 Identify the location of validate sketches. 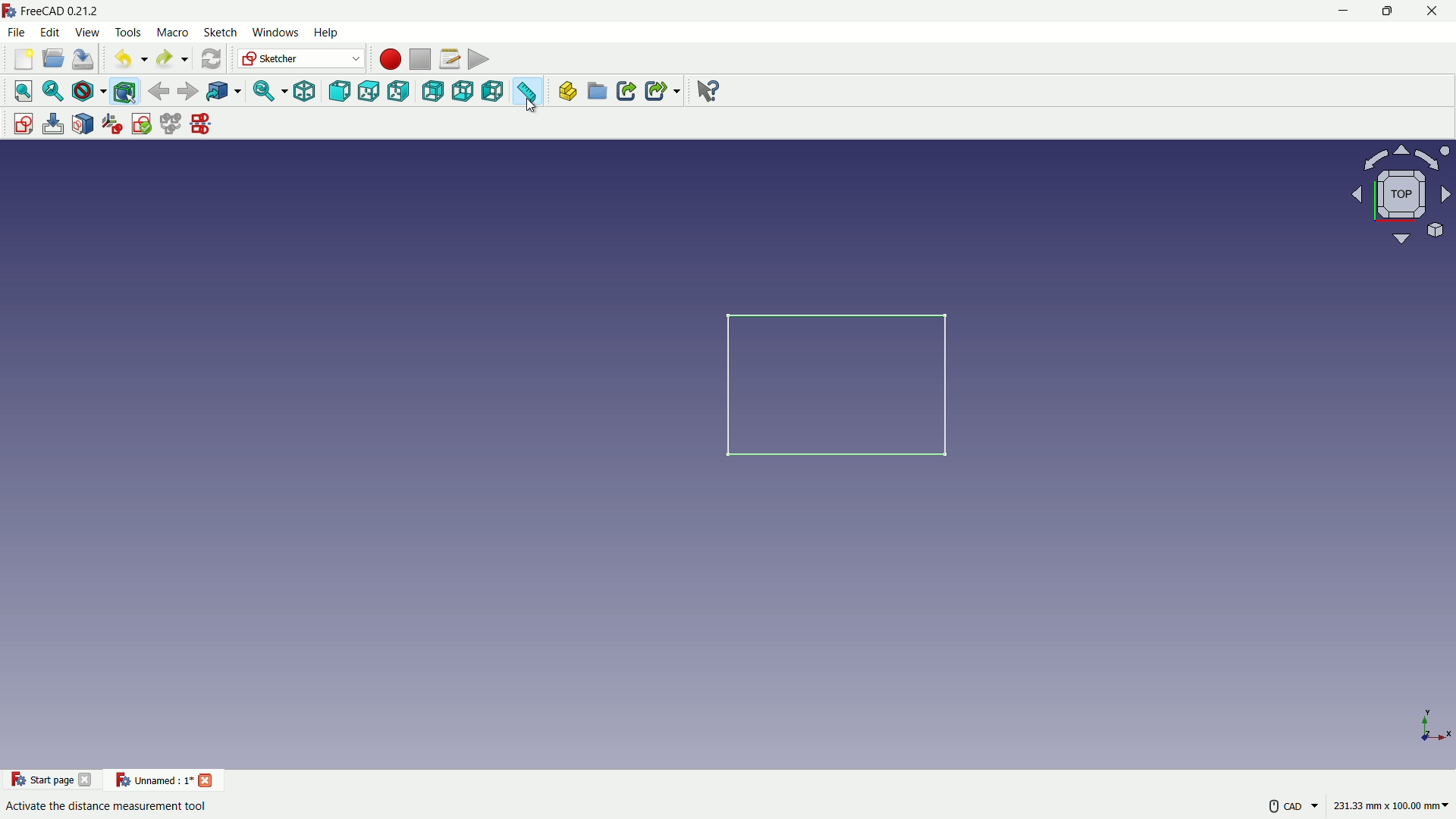
(143, 124).